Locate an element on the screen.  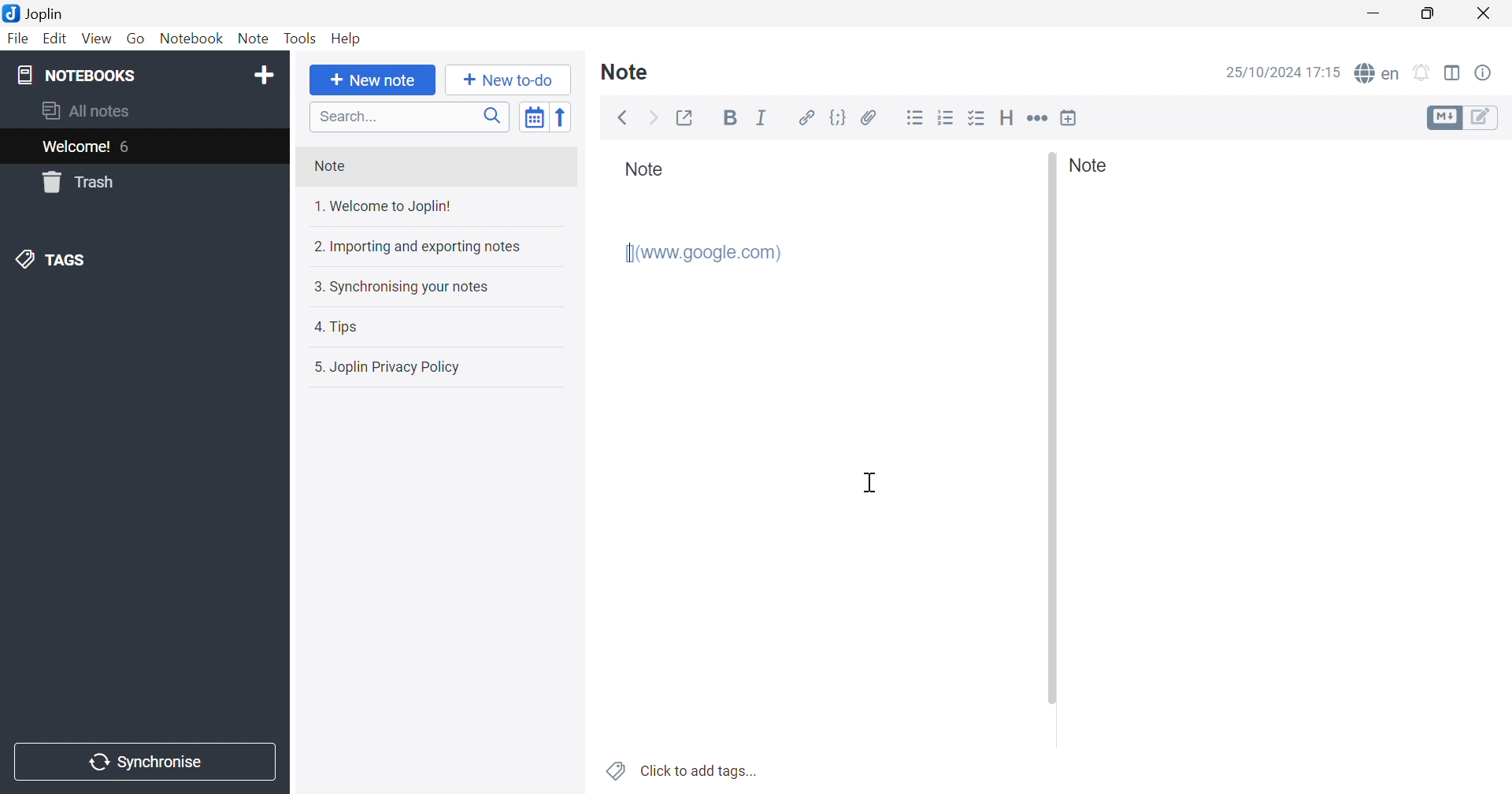
Bold is located at coordinates (730, 120).